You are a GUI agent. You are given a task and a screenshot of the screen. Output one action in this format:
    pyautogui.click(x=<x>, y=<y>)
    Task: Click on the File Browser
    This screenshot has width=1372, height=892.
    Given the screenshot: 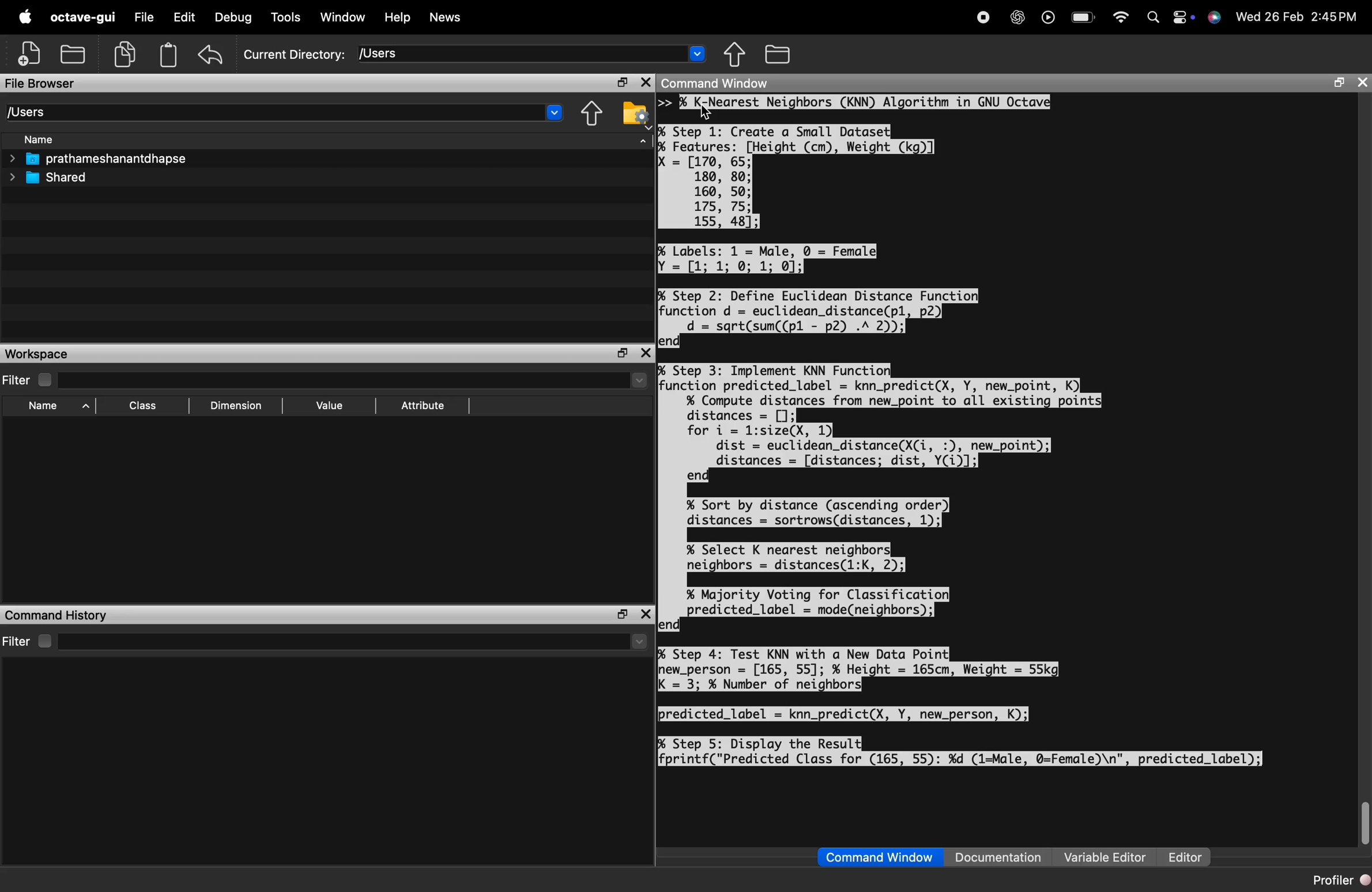 What is the action you would take?
    pyautogui.click(x=56, y=82)
    